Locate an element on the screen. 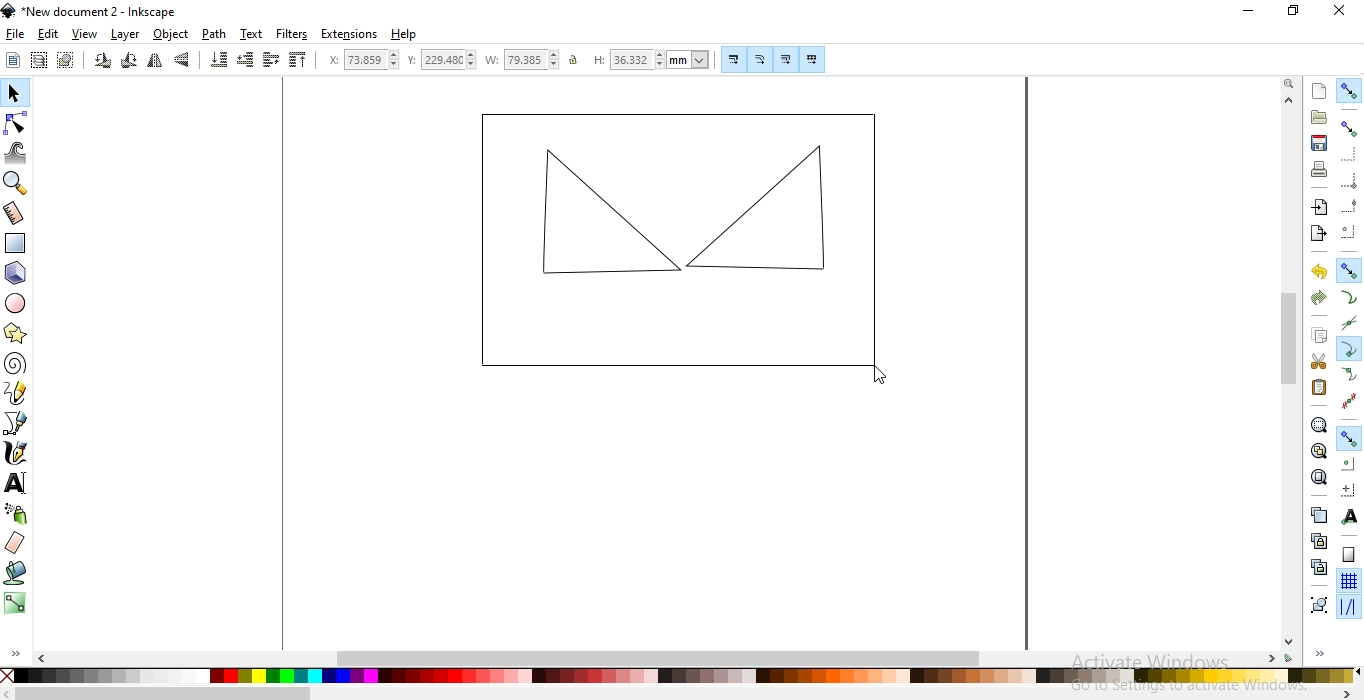 Image resolution: width=1364 pixels, height=700 pixels. draw bezier lines and straight lines is located at coordinates (18, 425).